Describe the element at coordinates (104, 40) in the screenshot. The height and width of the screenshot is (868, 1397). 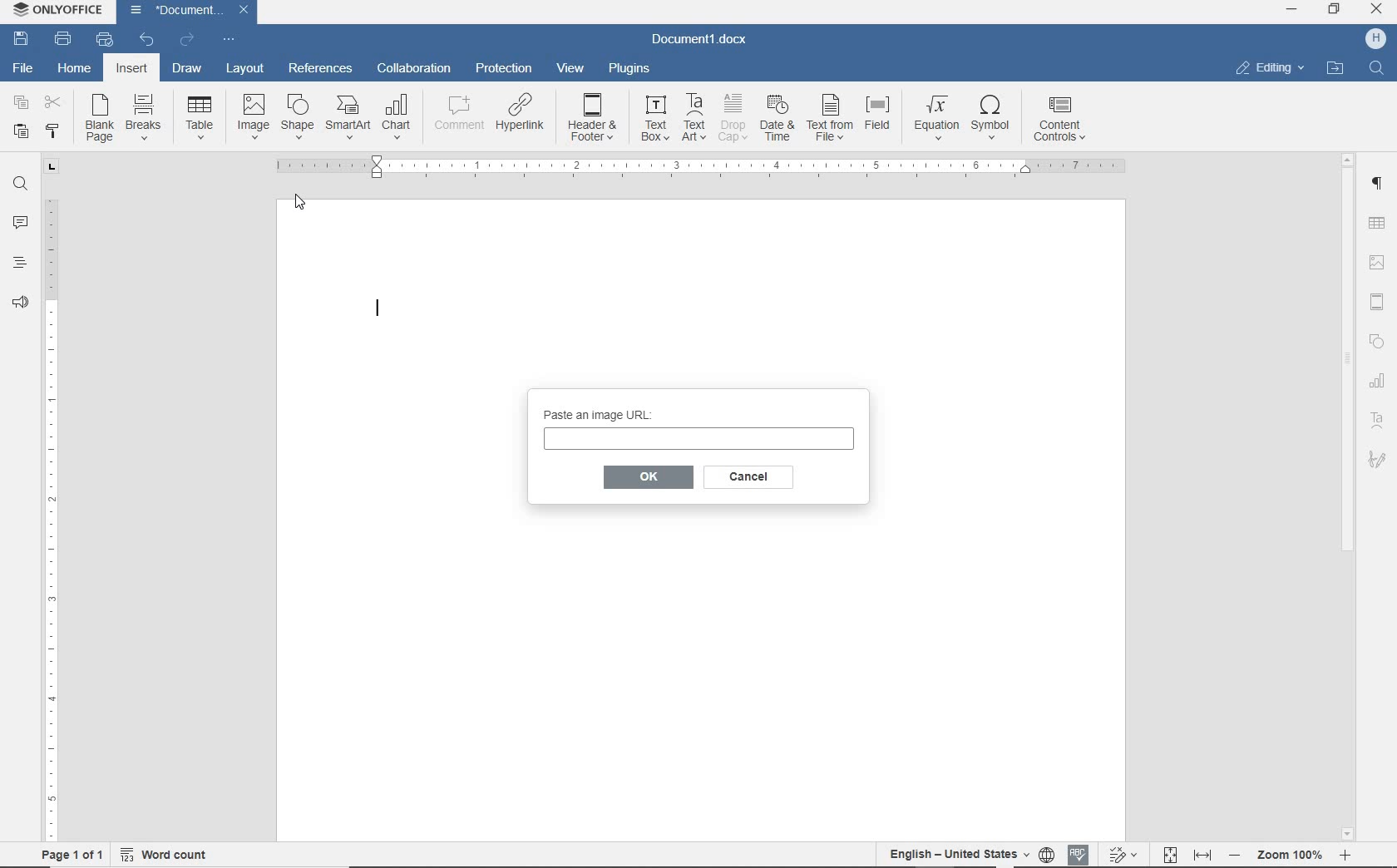
I see `quick print` at that location.